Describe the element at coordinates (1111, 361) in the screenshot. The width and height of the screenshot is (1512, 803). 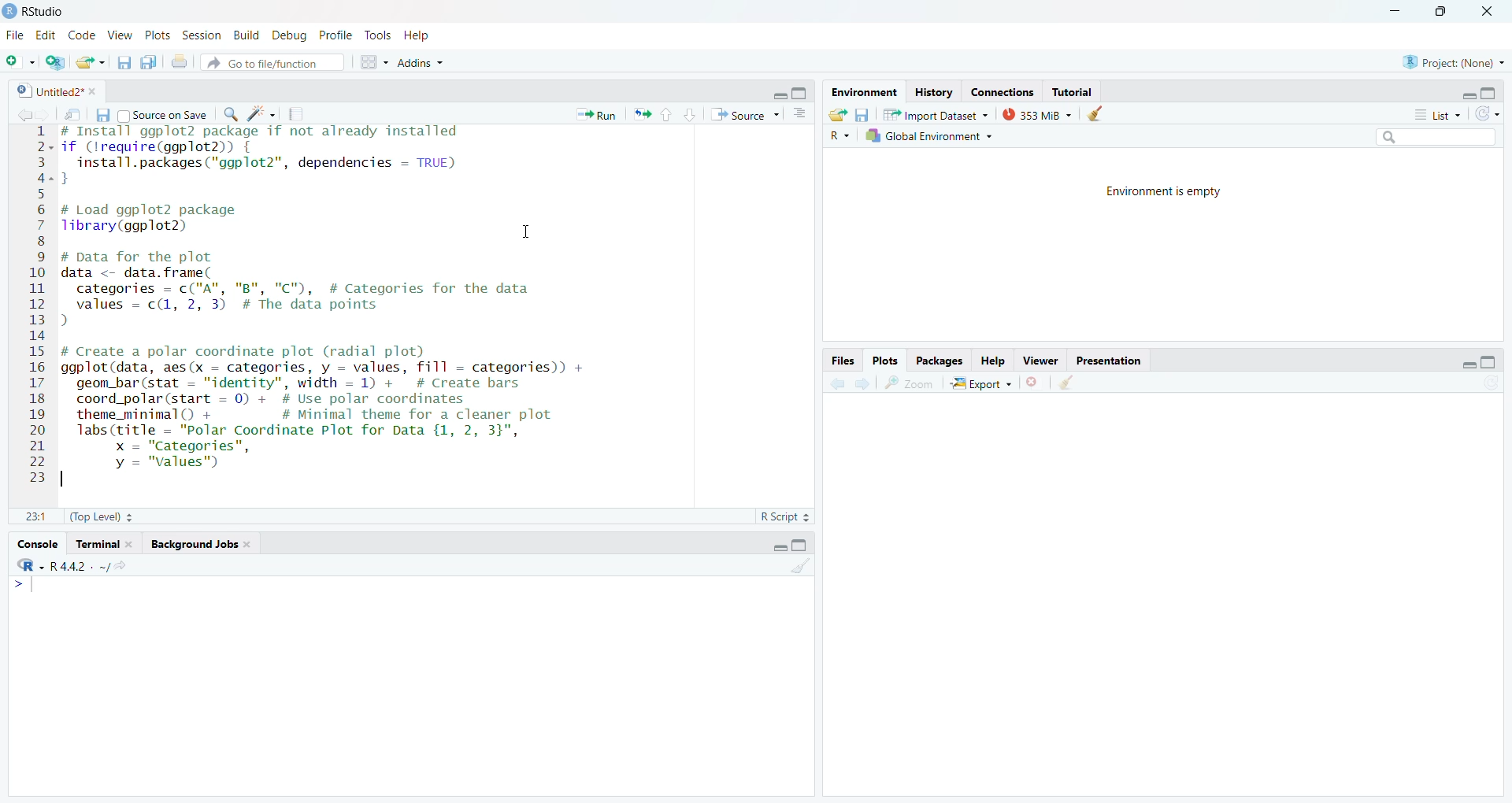
I see `Presentation` at that location.